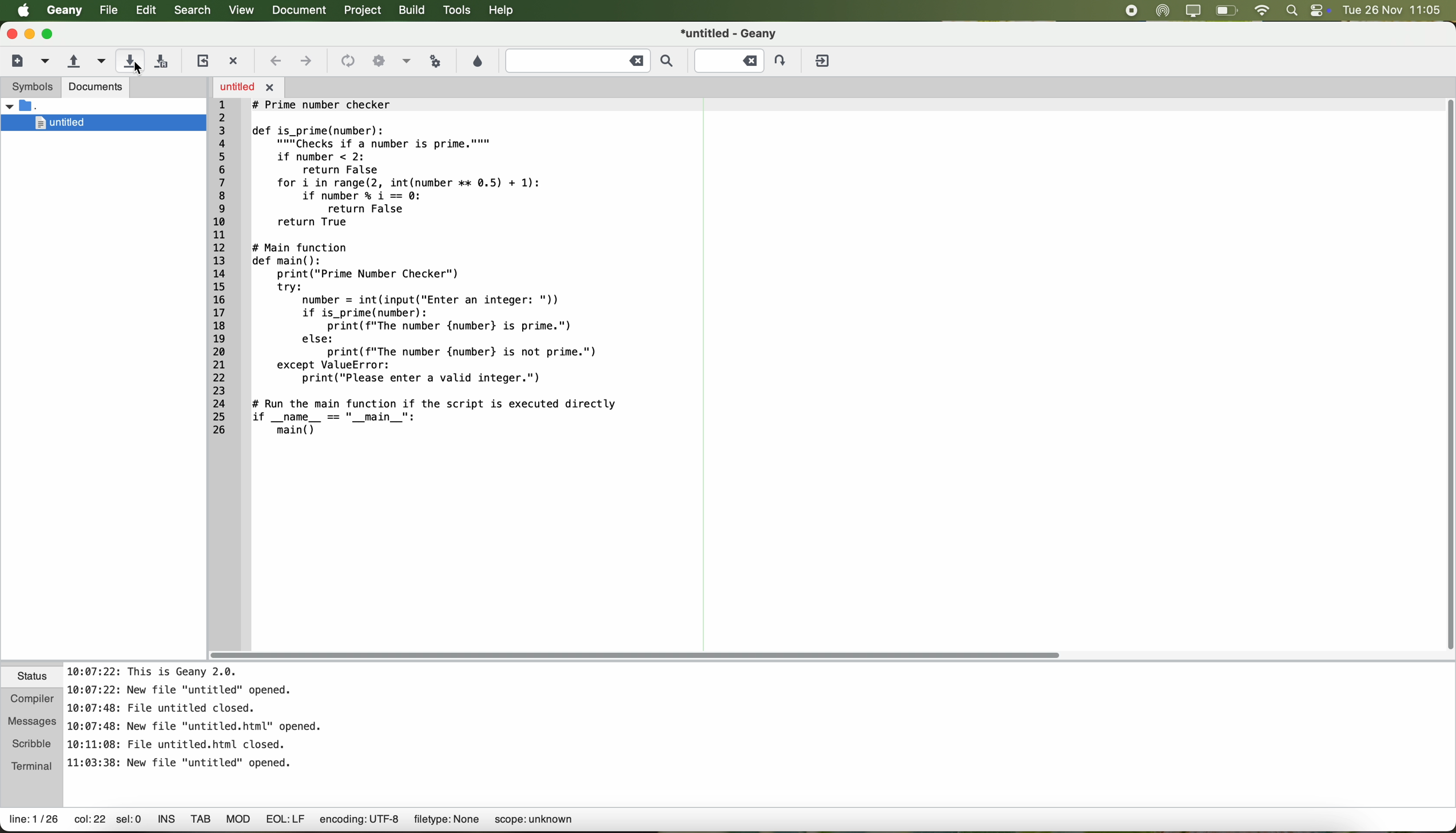 Image resolution: width=1456 pixels, height=833 pixels. What do you see at coordinates (406, 60) in the screenshot?
I see `option` at bounding box center [406, 60].